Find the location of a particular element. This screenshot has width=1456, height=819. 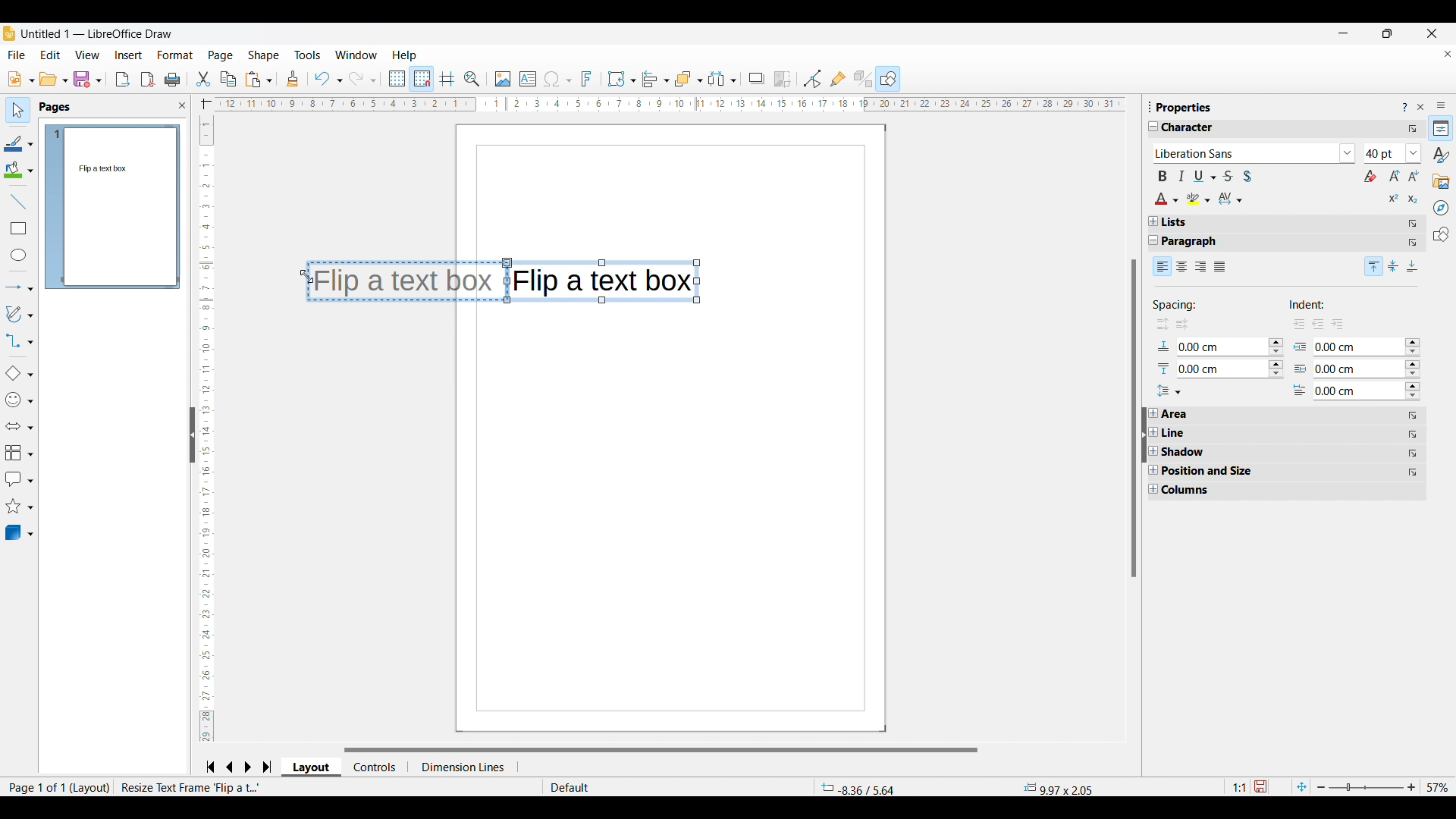

More options for respective sub-title is located at coordinates (1414, 444).